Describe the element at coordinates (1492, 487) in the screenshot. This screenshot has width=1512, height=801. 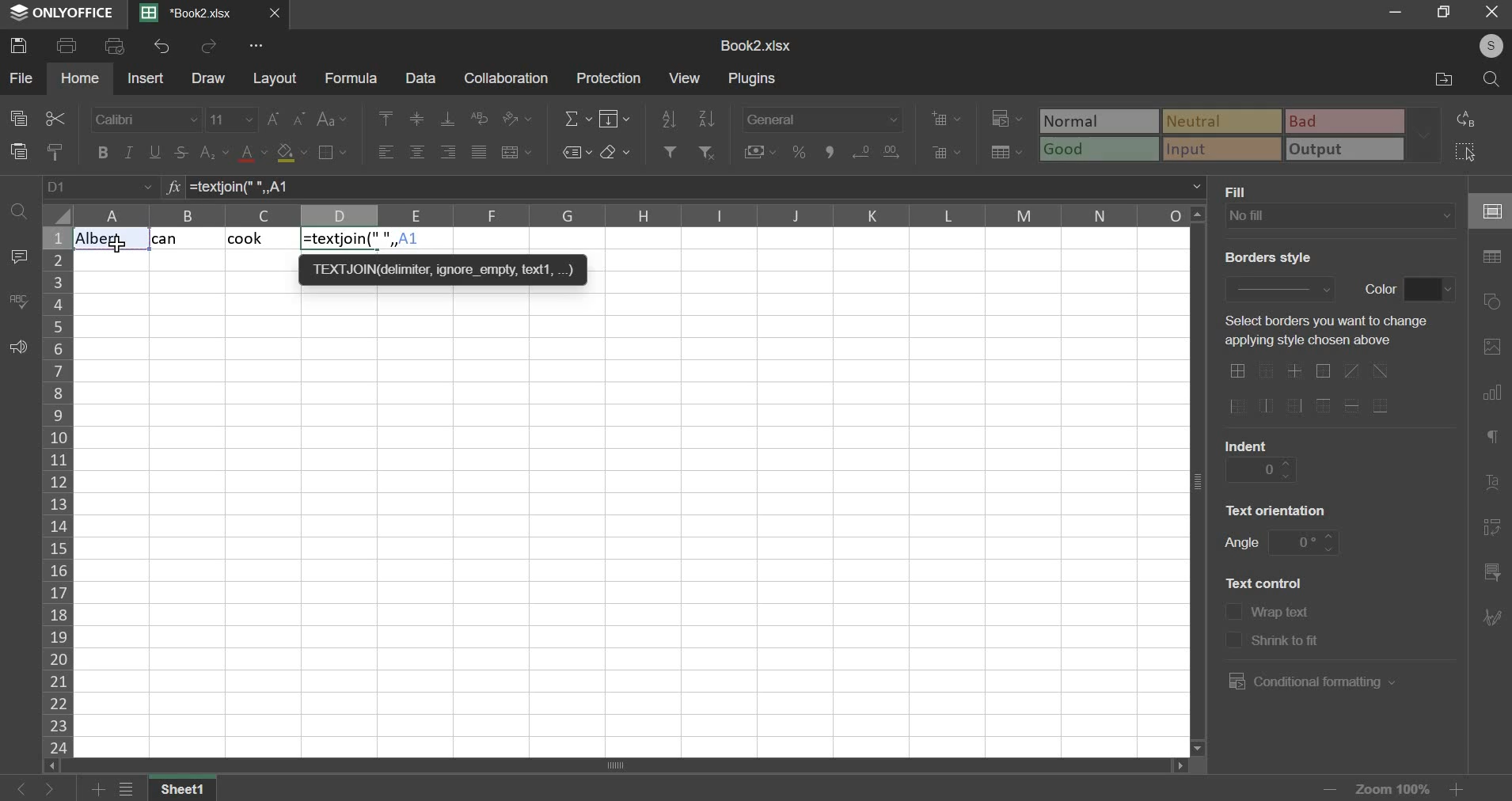
I see `text art` at that location.